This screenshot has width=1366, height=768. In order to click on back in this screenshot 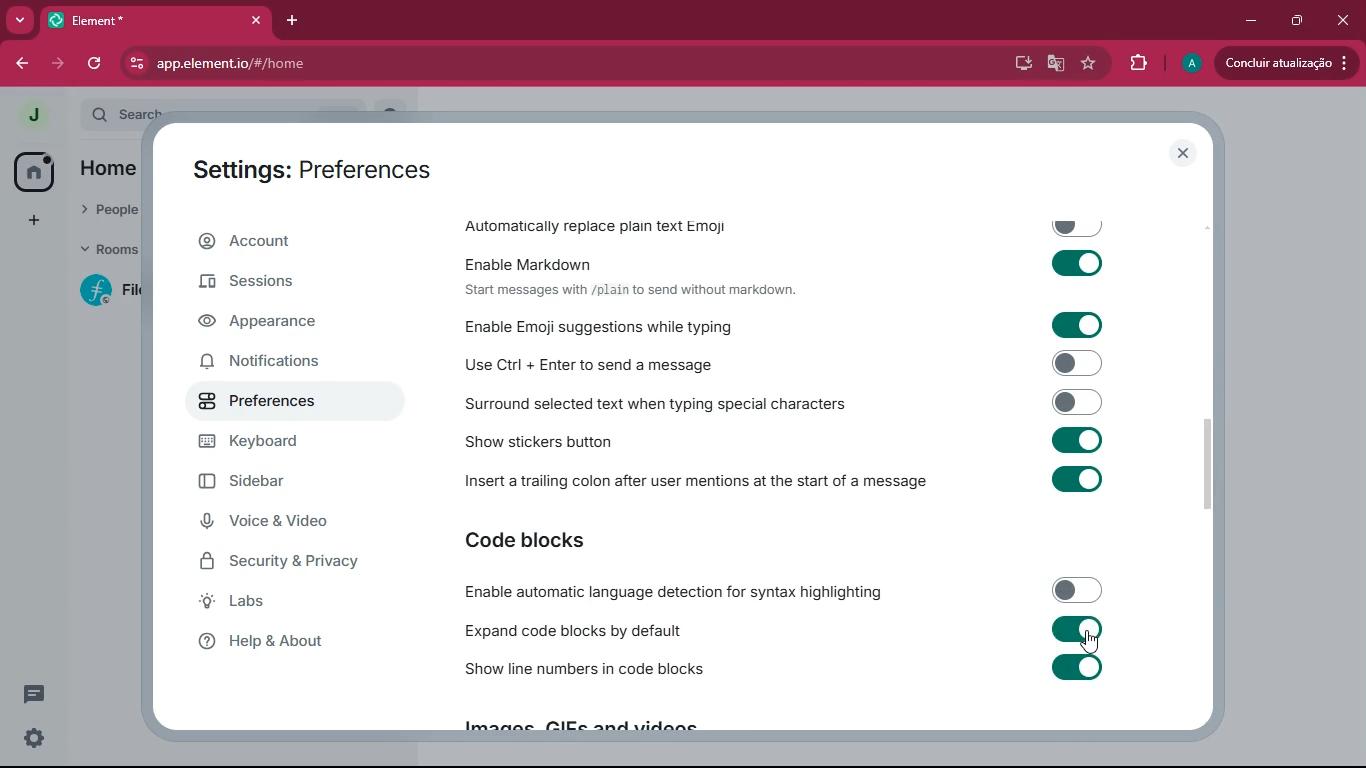, I will do `click(18, 61)`.